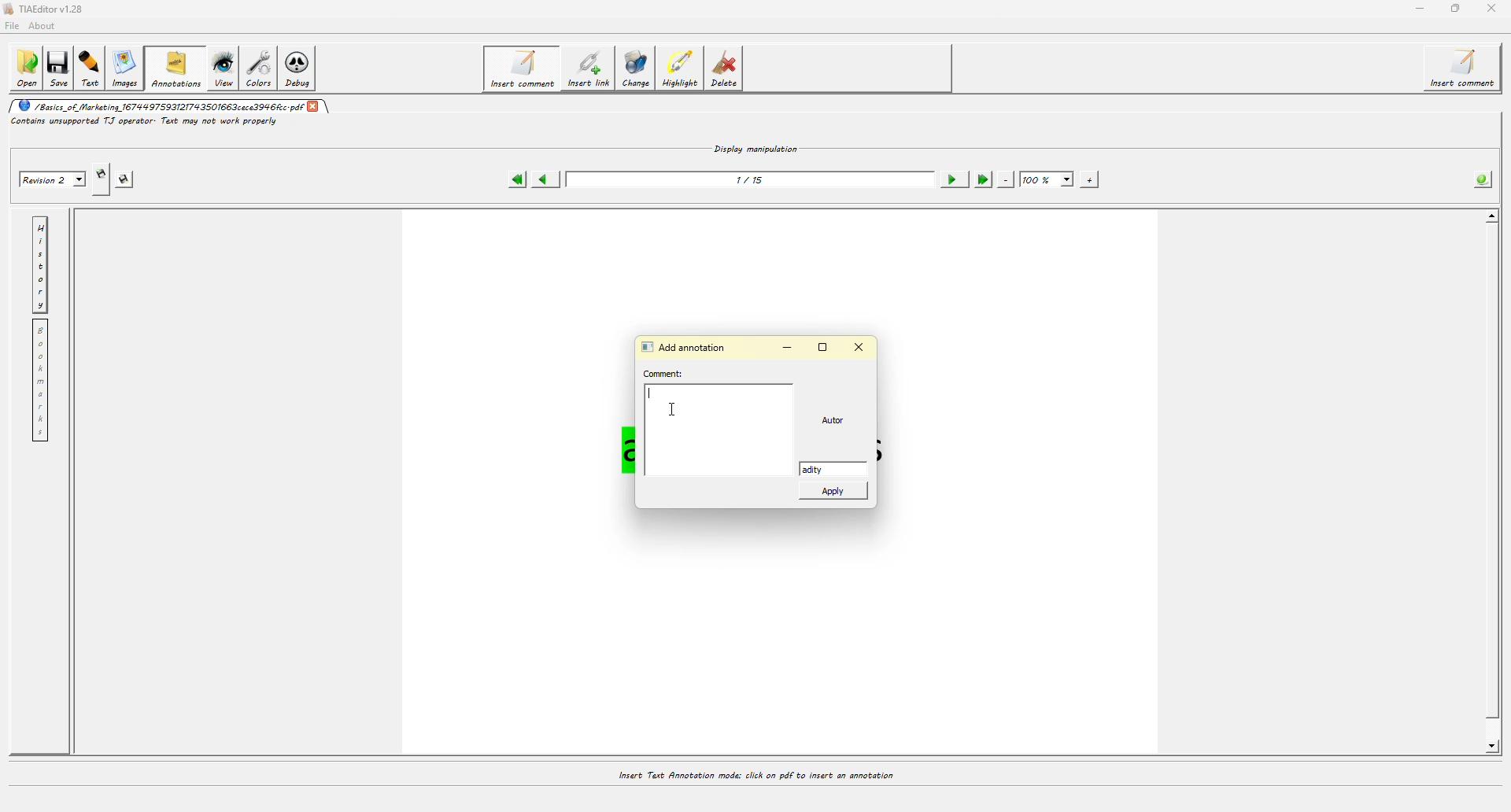 Image resolution: width=1511 pixels, height=812 pixels. I want to click on highlight, so click(683, 69).